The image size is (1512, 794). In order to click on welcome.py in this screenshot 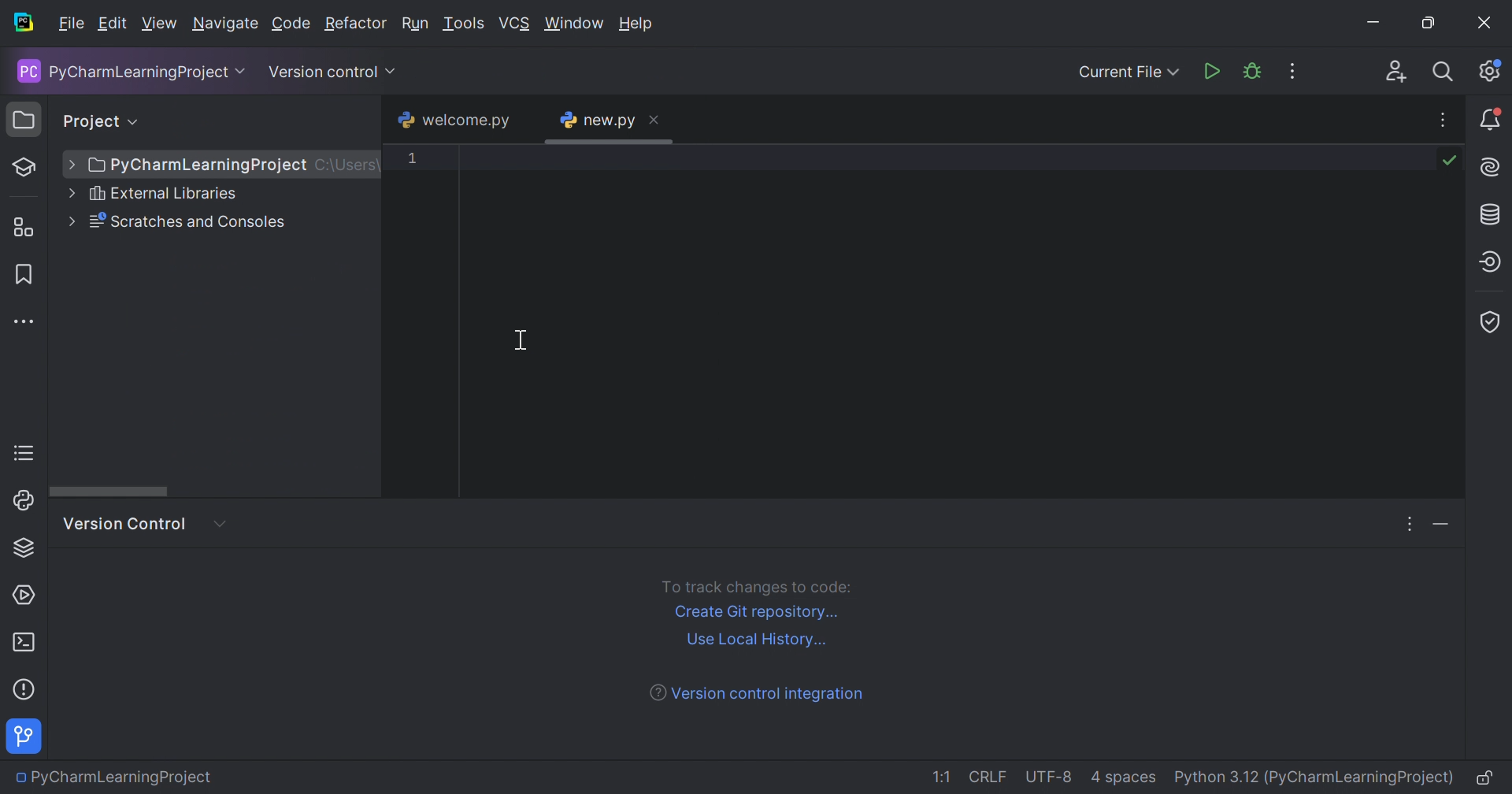, I will do `click(453, 121)`.